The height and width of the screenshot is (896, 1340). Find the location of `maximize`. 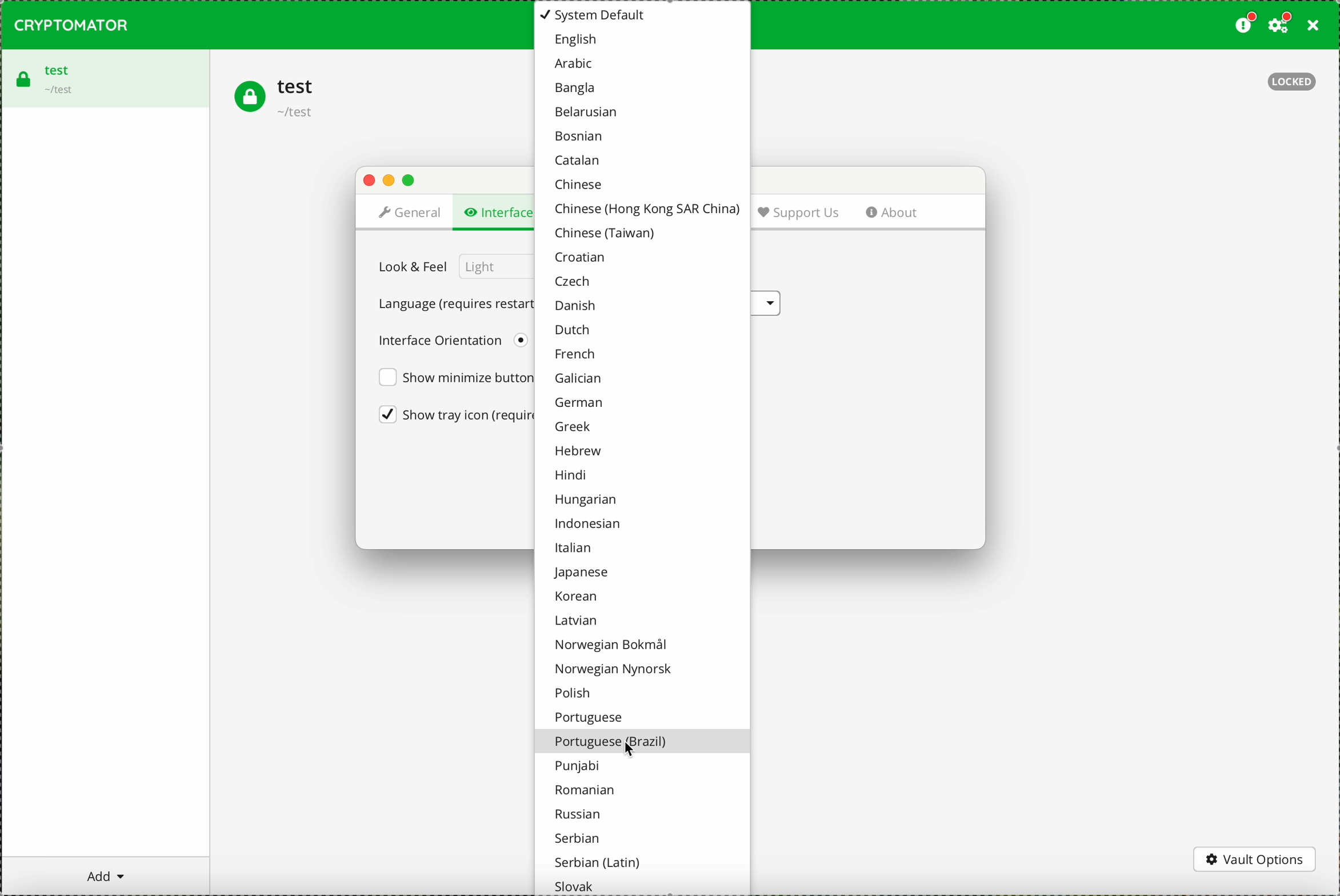

maximize is located at coordinates (410, 179).